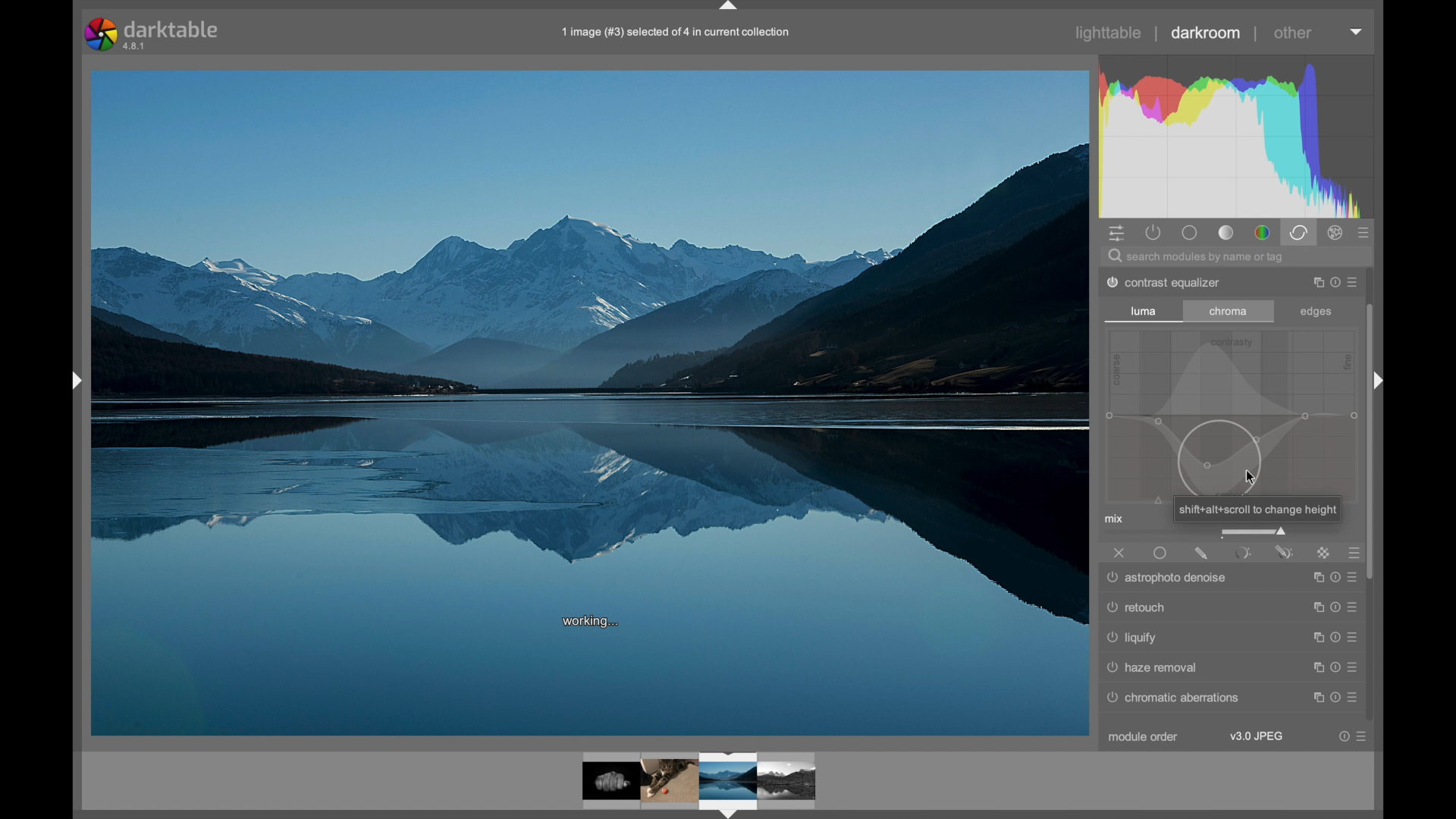  I want to click on mix, so click(1114, 519).